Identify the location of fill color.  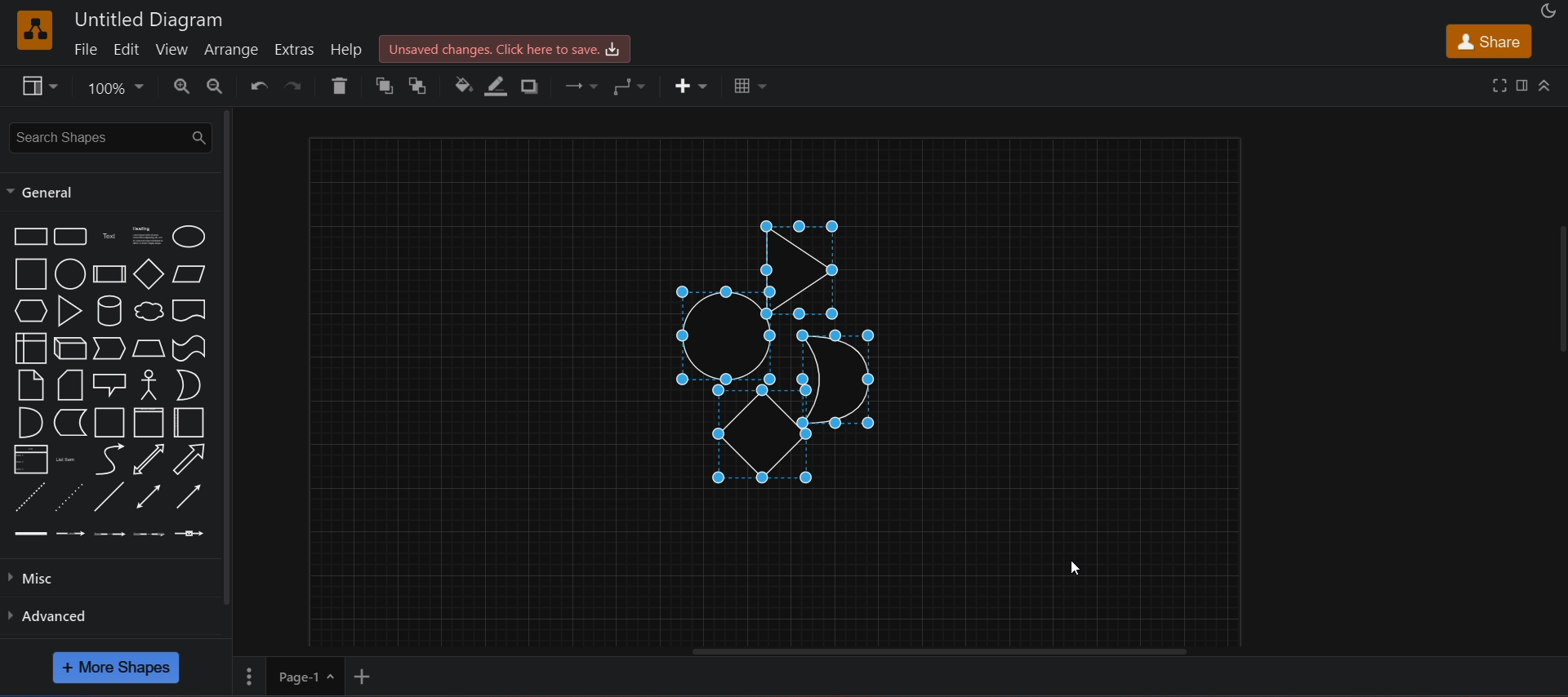
(463, 84).